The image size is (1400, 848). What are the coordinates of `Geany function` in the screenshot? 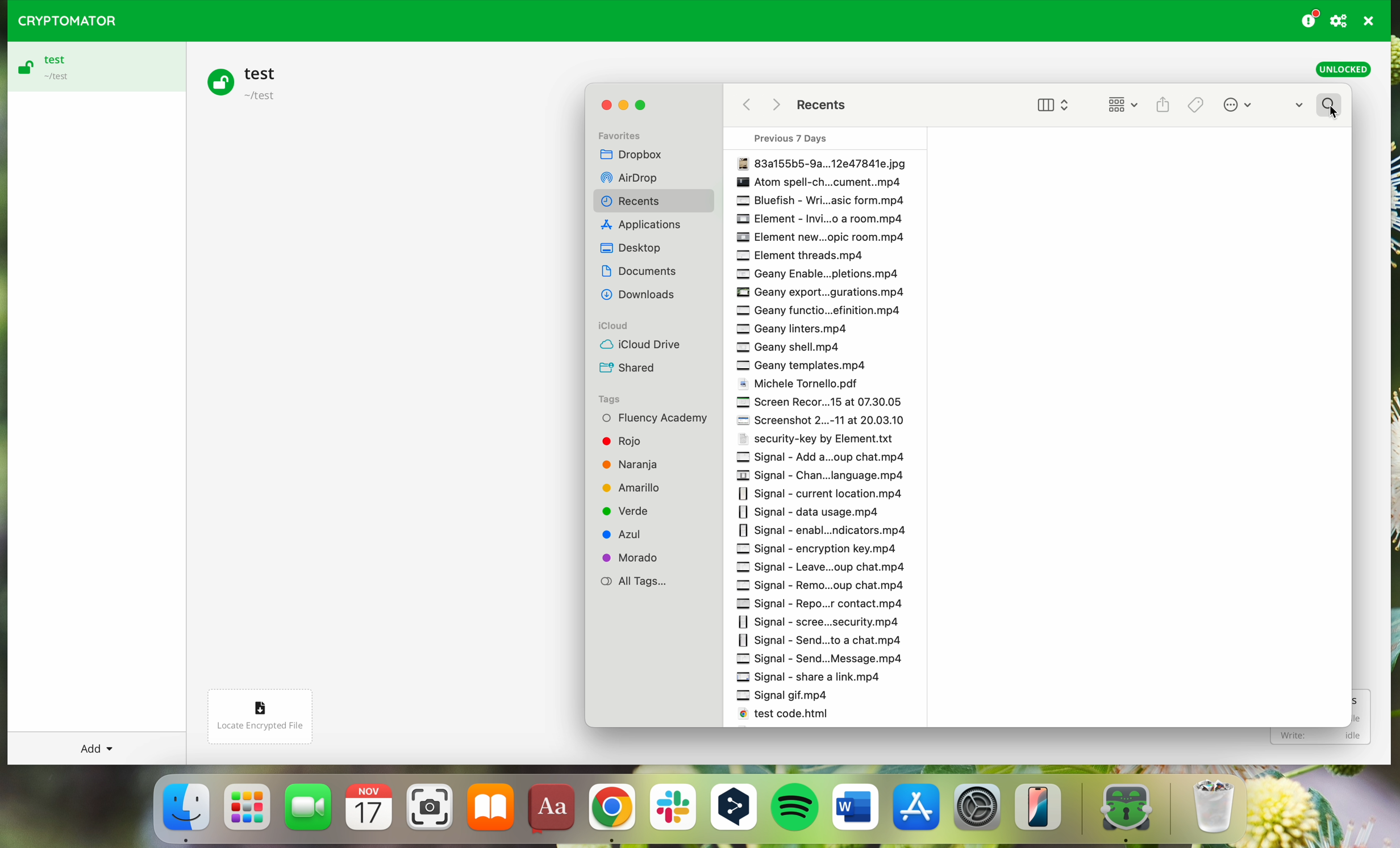 It's located at (823, 311).